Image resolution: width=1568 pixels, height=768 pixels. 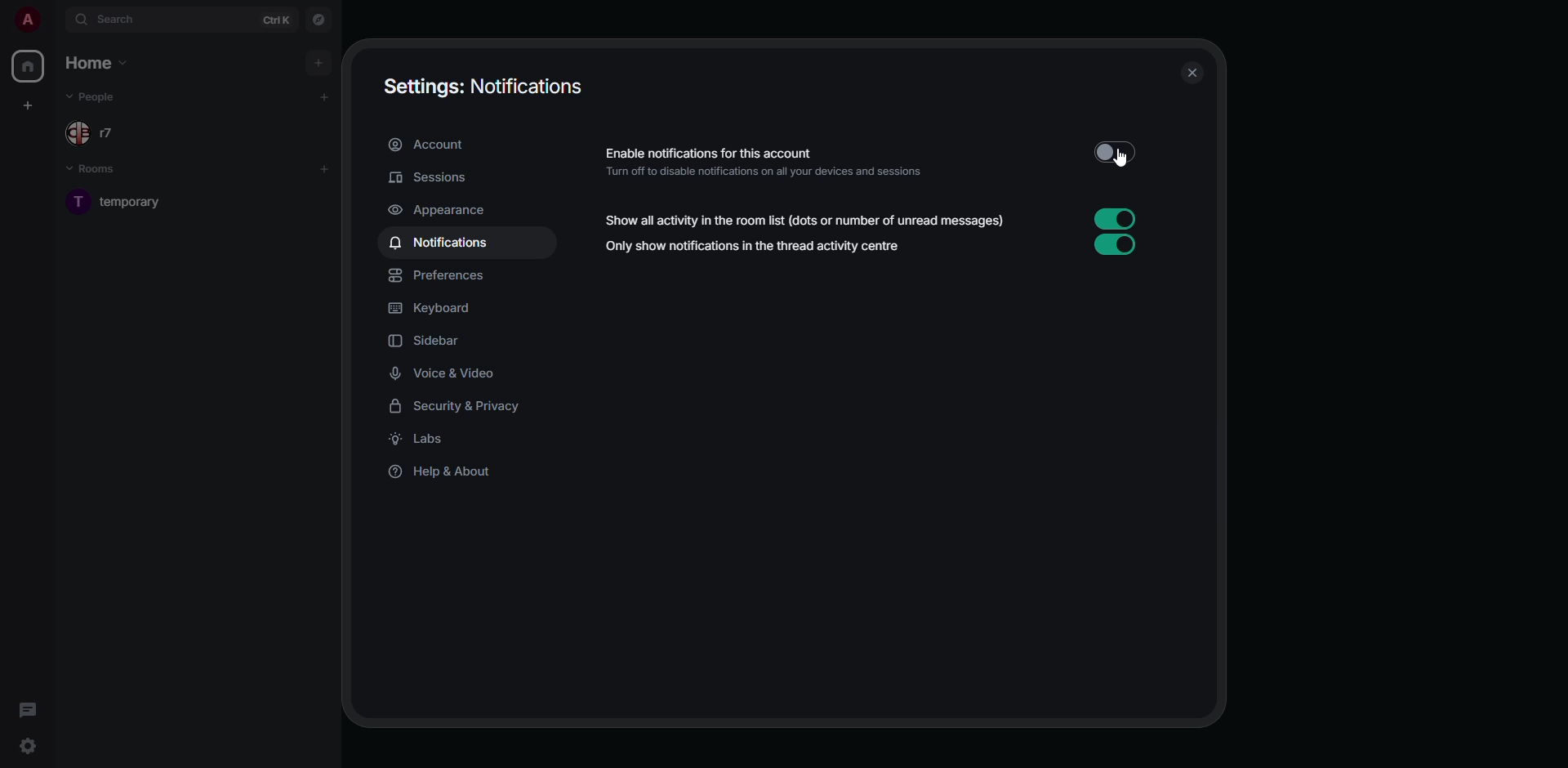 What do you see at coordinates (772, 159) in the screenshot?
I see `enable notifications for this account` at bounding box center [772, 159].